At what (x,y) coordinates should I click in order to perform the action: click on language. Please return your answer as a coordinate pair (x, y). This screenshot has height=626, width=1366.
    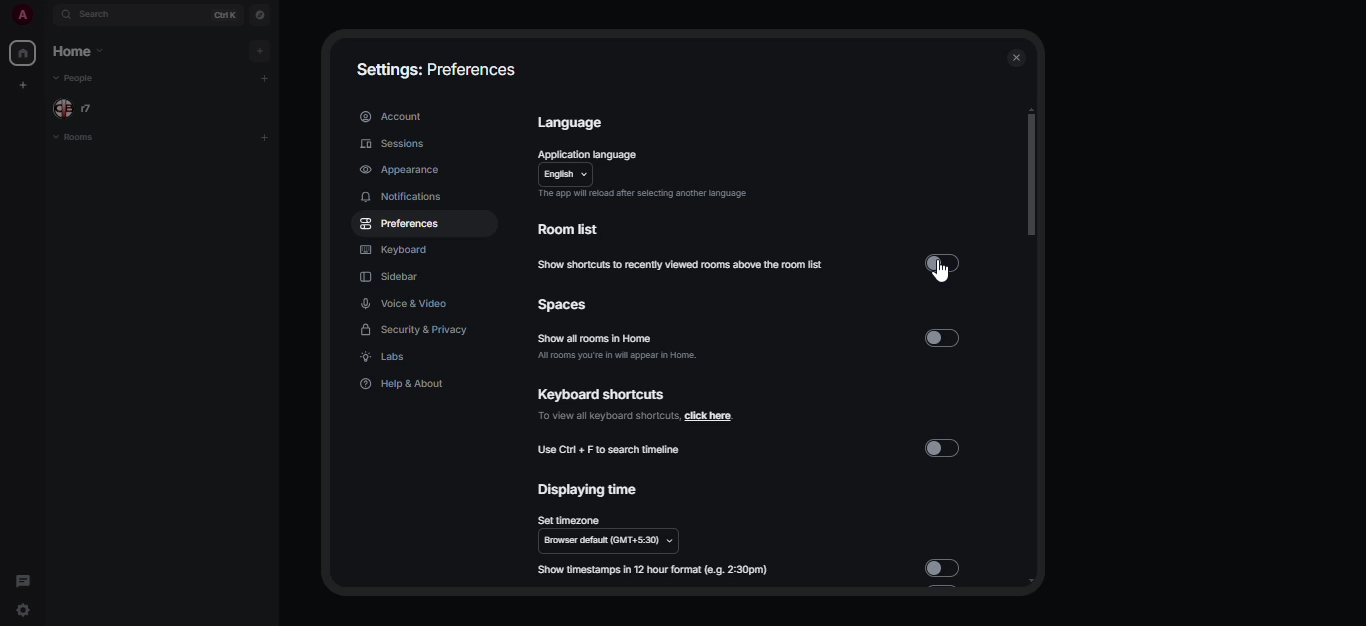
    Looking at the image, I should click on (571, 121).